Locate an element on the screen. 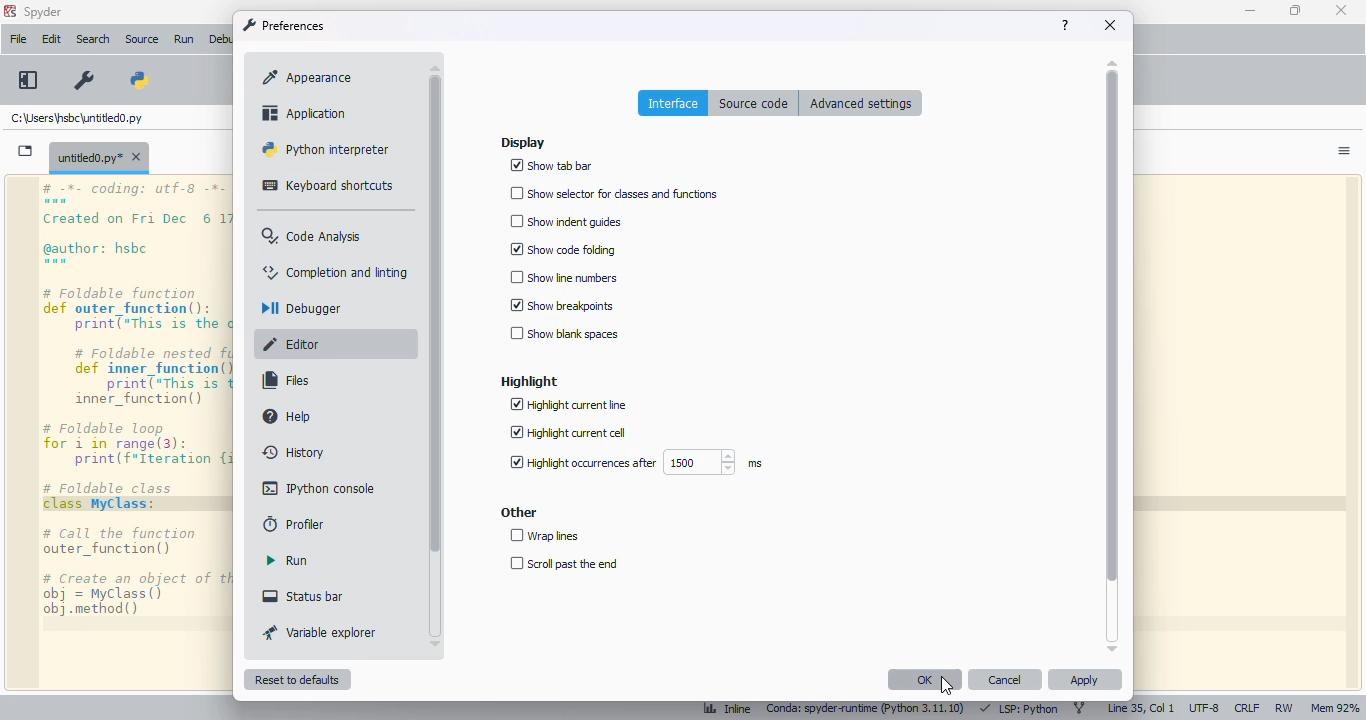 The width and height of the screenshot is (1366, 720). untitled0.py is located at coordinates (78, 119).